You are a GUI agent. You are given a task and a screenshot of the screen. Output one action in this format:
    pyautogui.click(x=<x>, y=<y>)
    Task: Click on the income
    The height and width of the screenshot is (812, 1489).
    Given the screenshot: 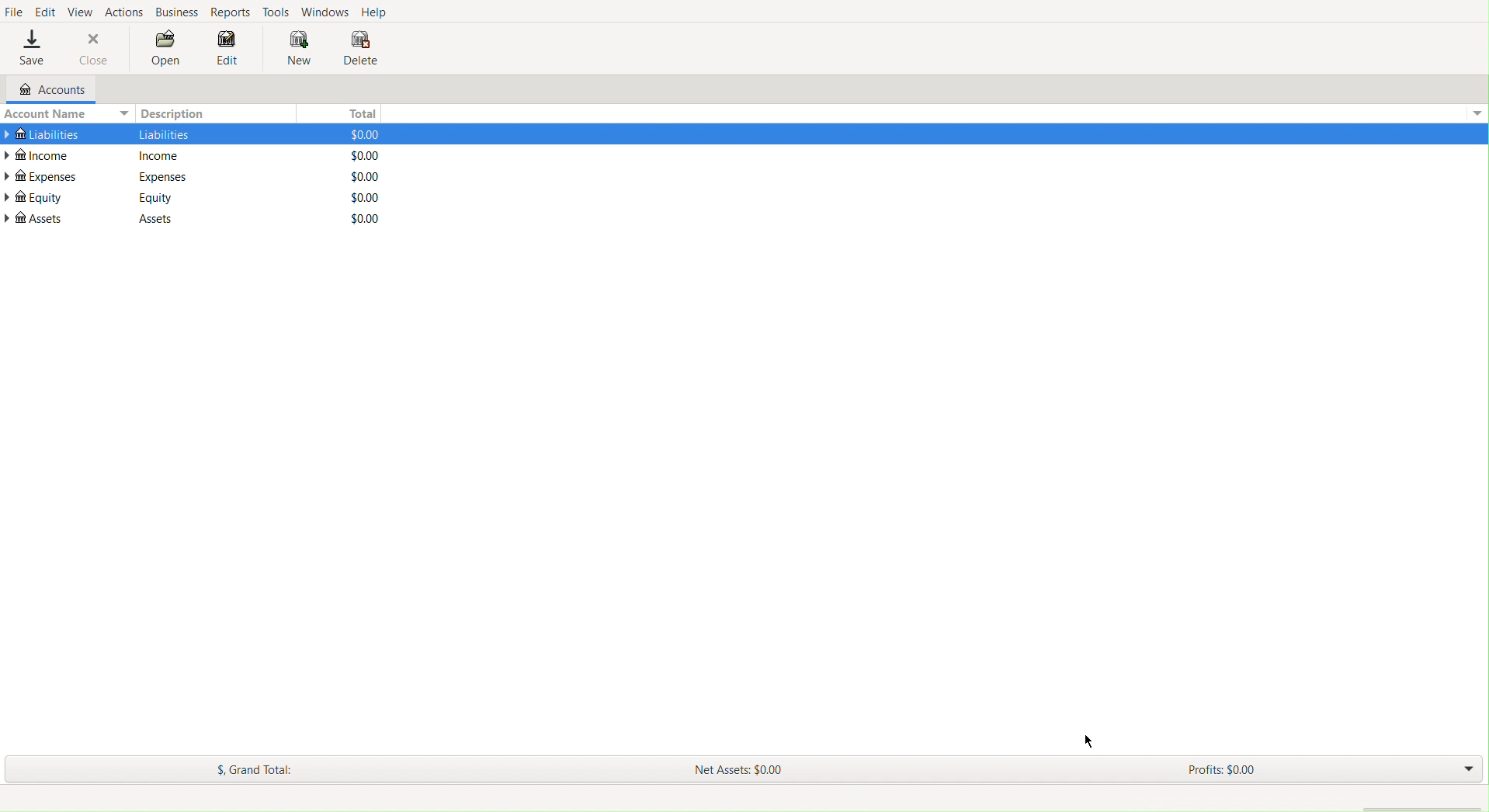 What is the action you would take?
    pyautogui.click(x=161, y=156)
    